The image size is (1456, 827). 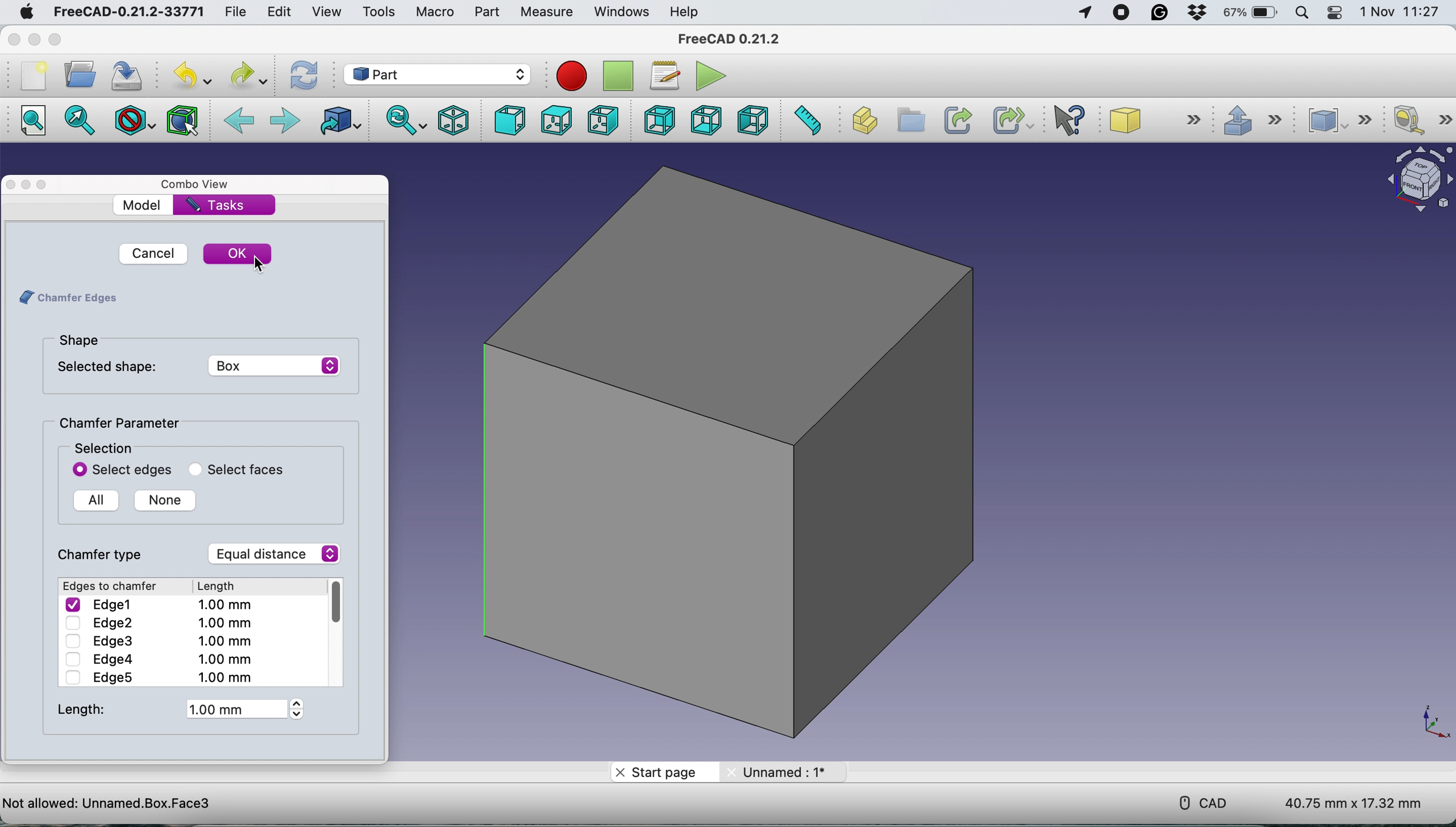 What do you see at coordinates (52, 41) in the screenshot?
I see `maximise` at bounding box center [52, 41].